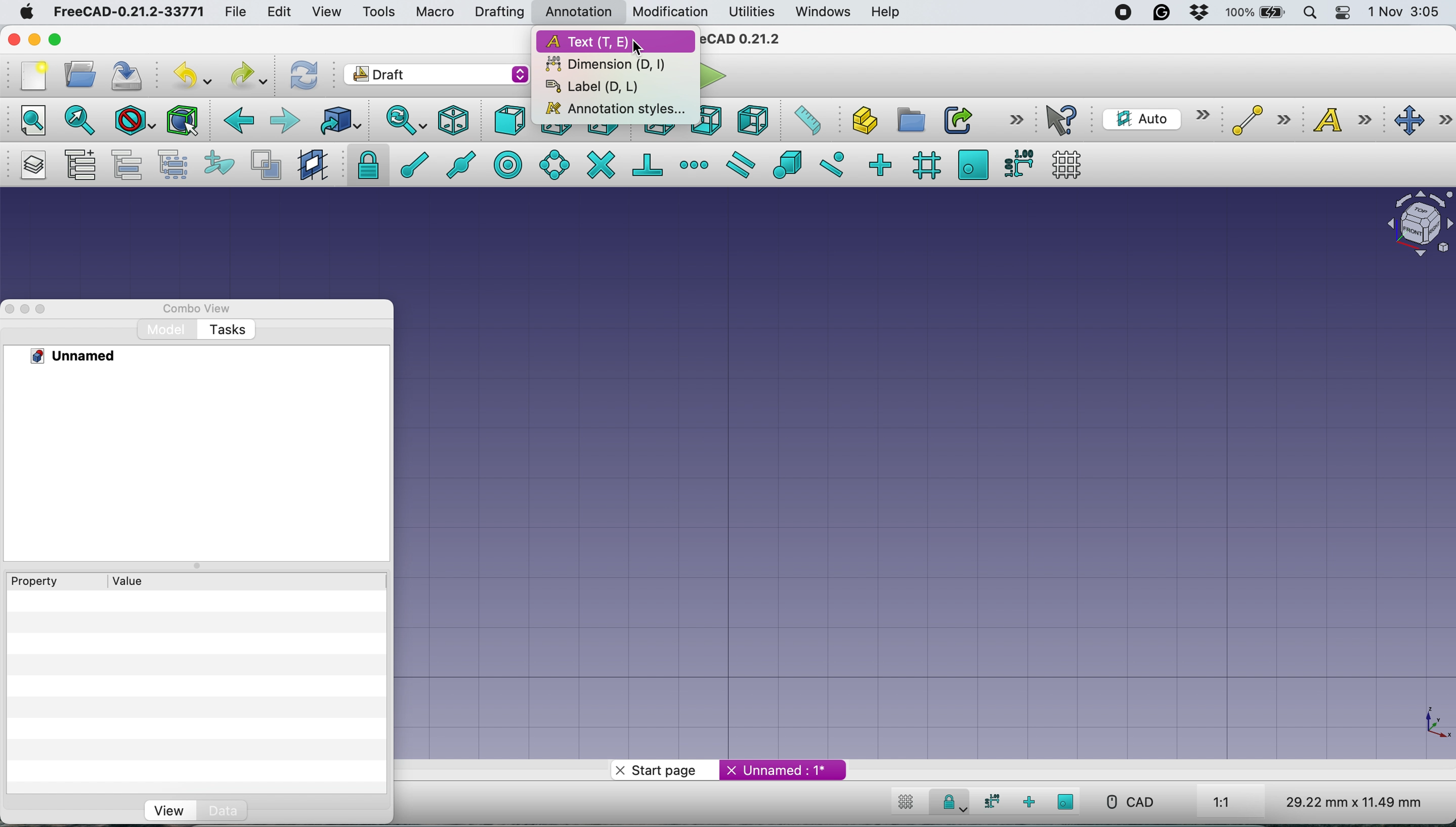 Image resolution: width=1456 pixels, height=827 pixels. I want to click on bottom, so click(708, 121).